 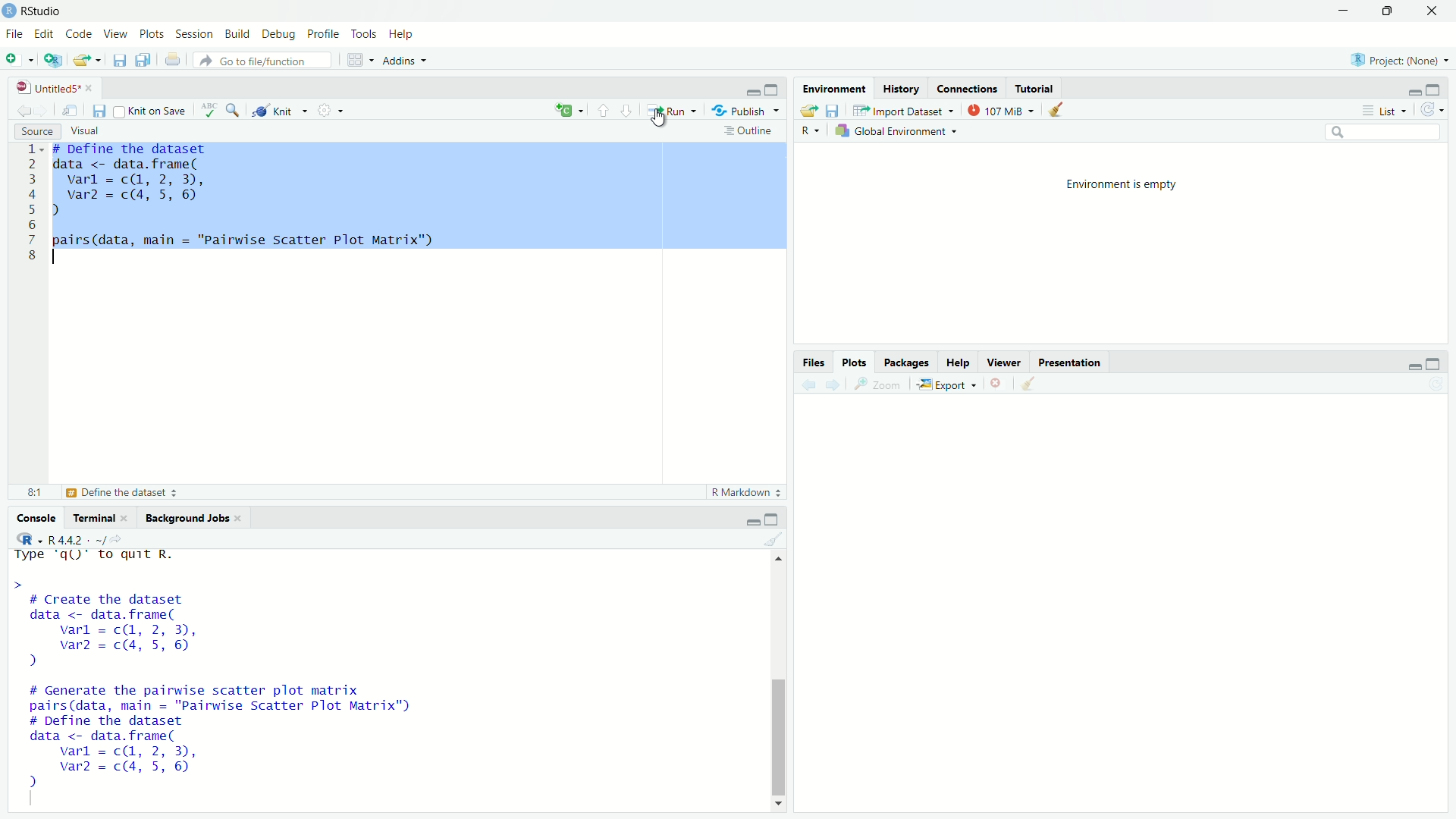 What do you see at coordinates (88, 59) in the screenshot?
I see `Open an existing file (Ctrl + O)` at bounding box center [88, 59].